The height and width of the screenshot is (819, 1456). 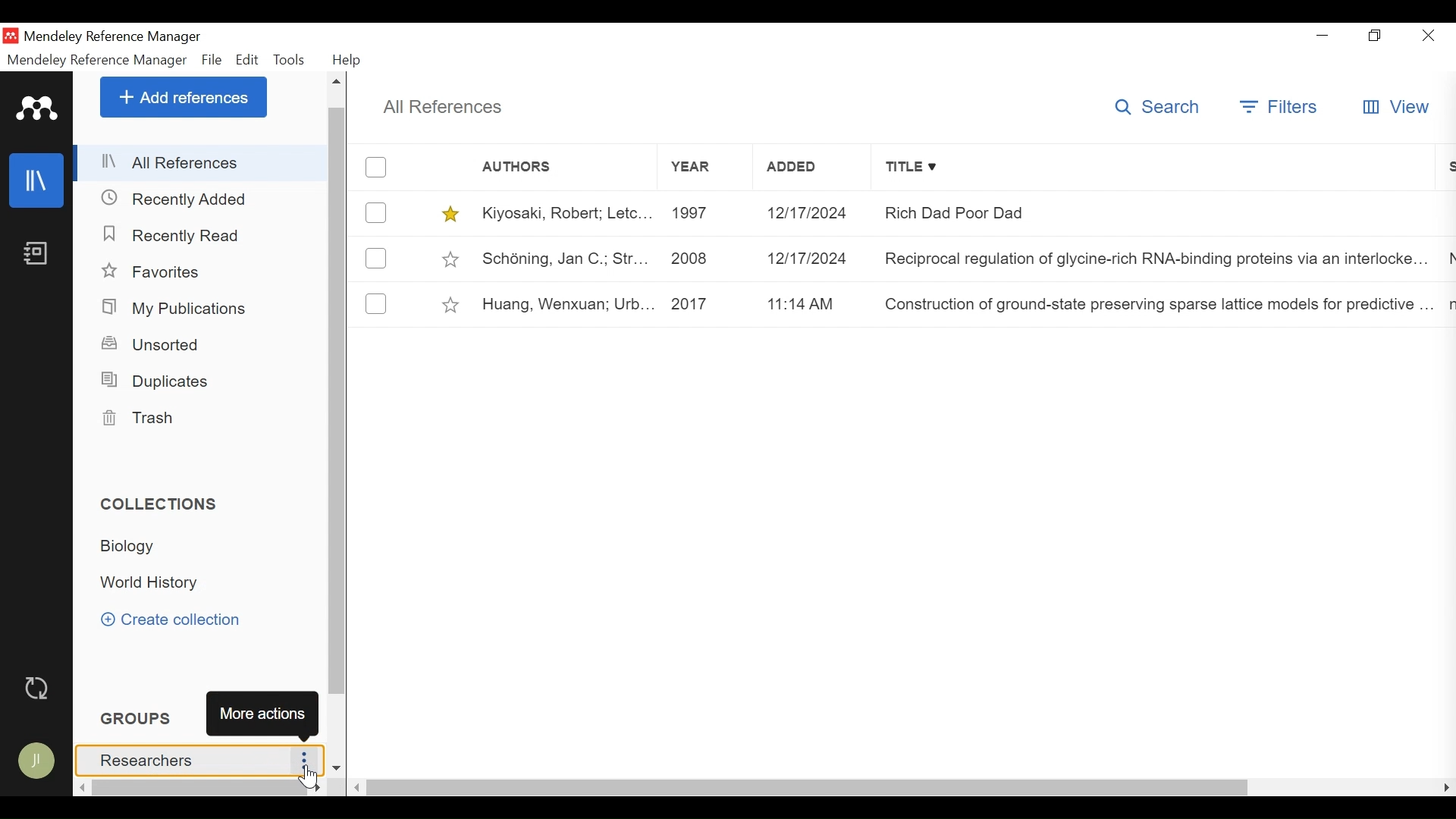 What do you see at coordinates (451, 215) in the screenshot?
I see `toggle Favorites` at bounding box center [451, 215].